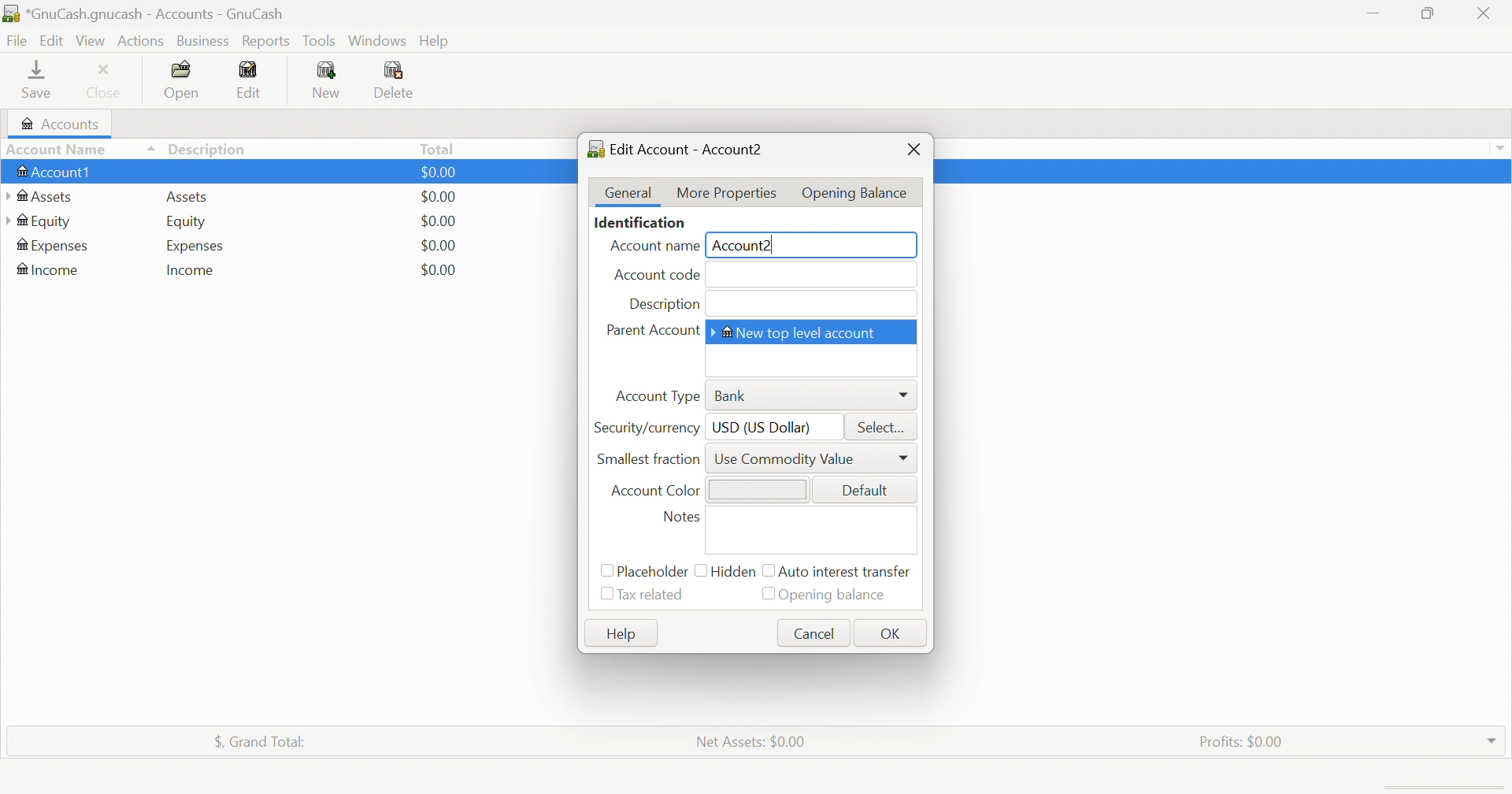 Image resolution: width=1512 pixels, height=794 pixels. Describe the element at coordinates (651, 247) in the screenshot. I see `Account name` at that location.